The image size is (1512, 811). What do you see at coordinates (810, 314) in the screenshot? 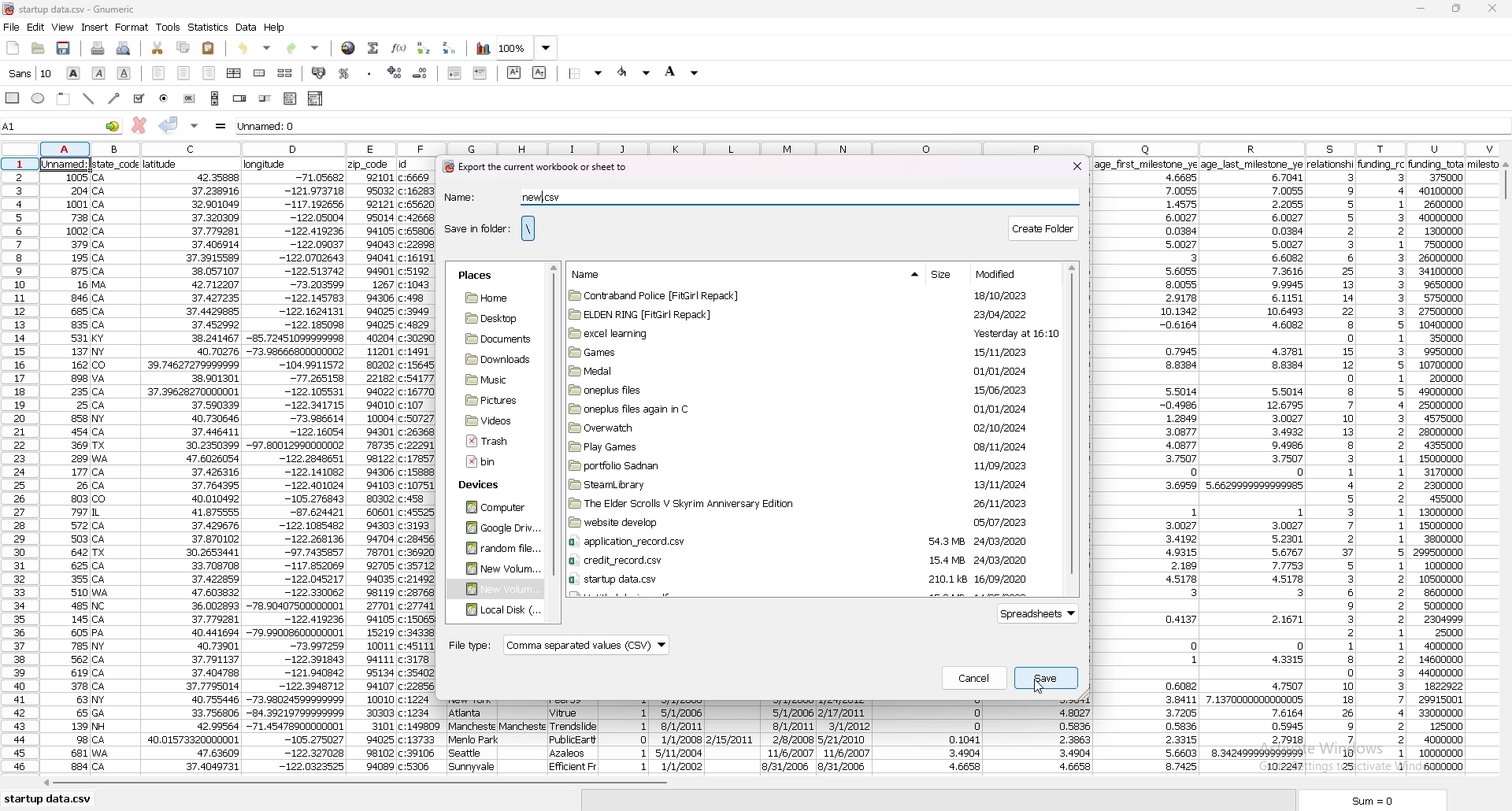
I see `folder` at bounding box center [810, 314].